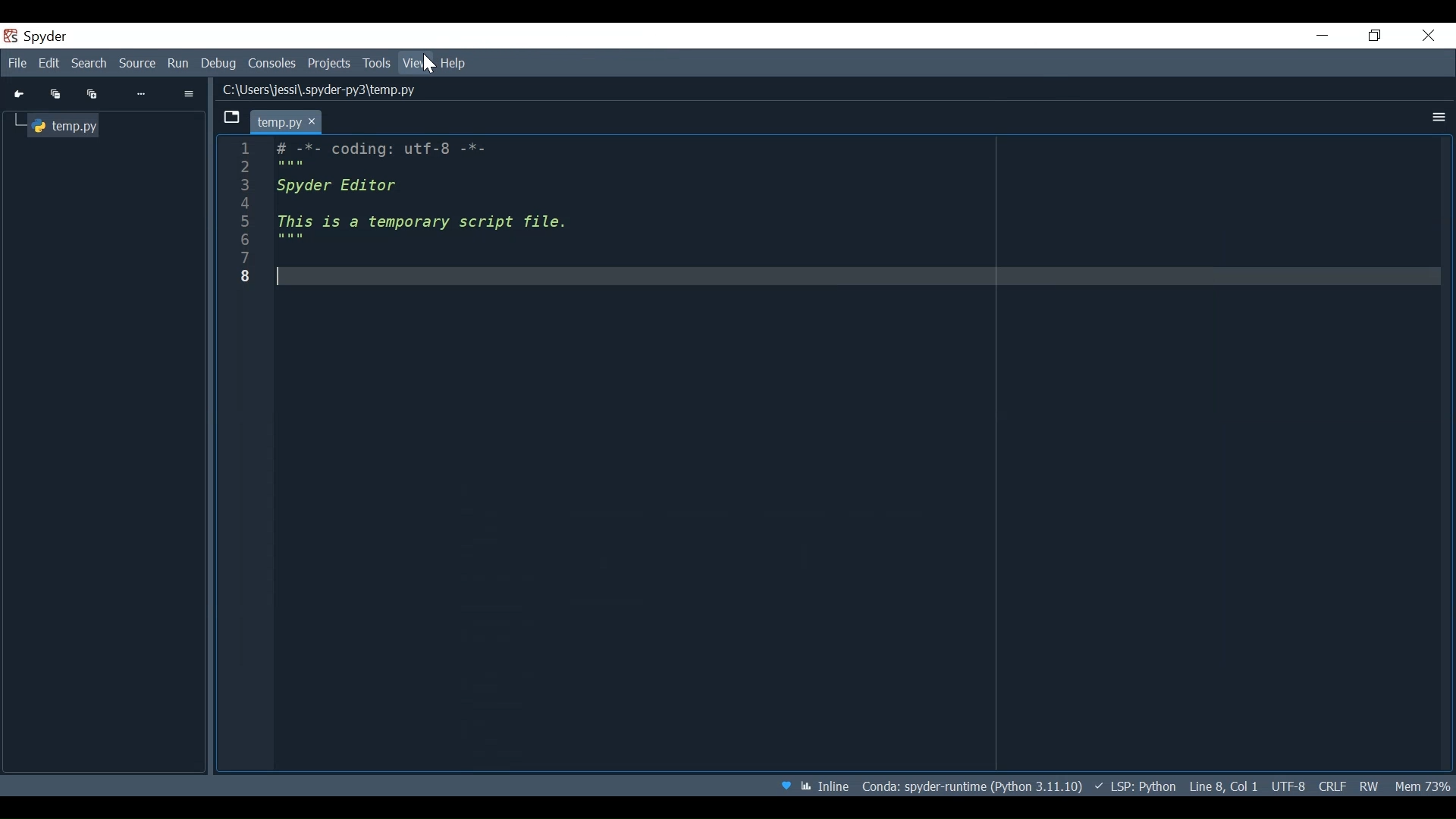 The image size is (1456, 819). Describe the element at coordinates (1421, 786) in the screenshot. I see `Memory Usage` at that location.